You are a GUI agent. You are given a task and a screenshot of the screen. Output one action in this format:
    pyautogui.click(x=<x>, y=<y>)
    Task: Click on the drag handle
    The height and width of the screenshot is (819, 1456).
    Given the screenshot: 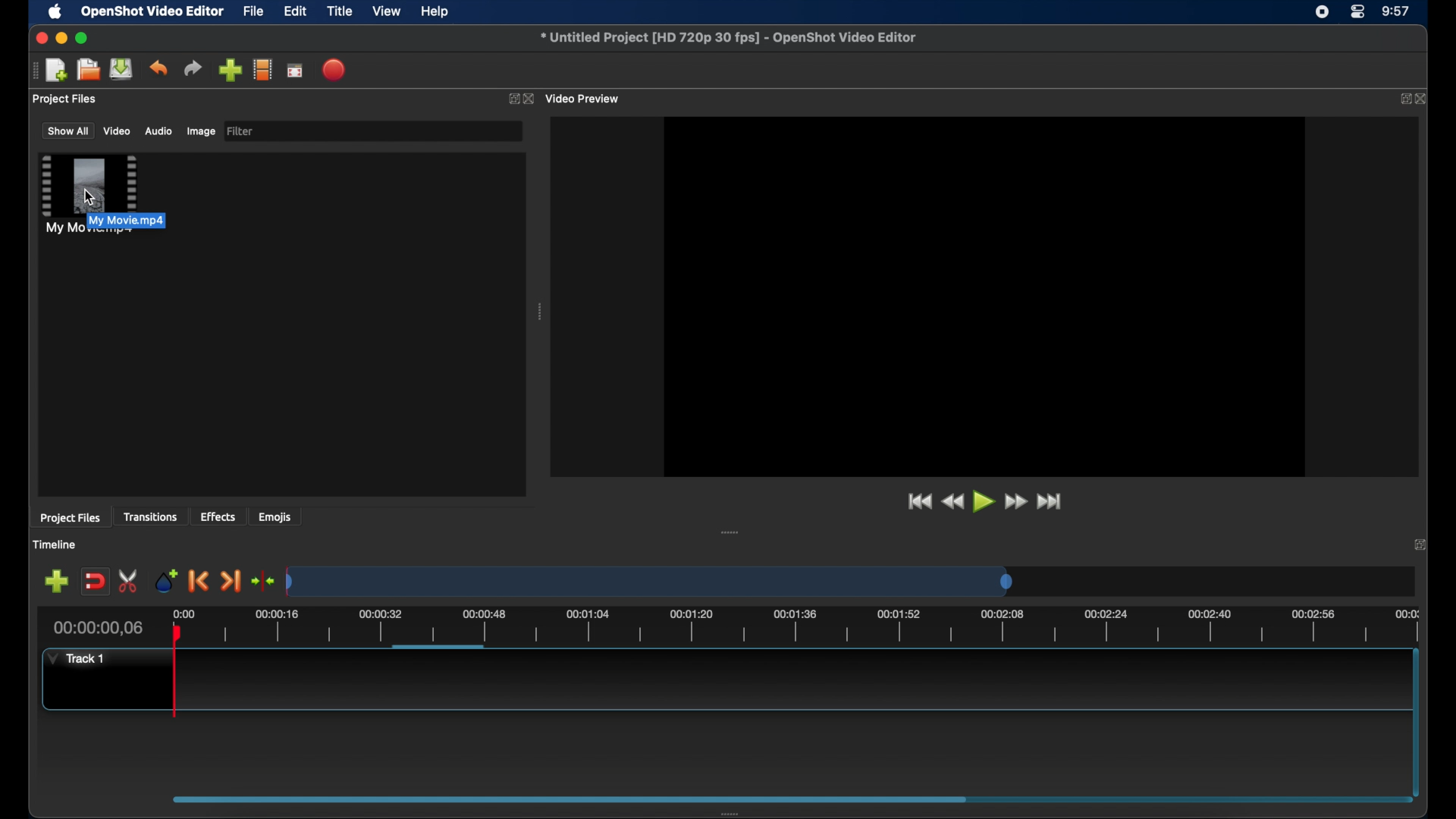 What is the action you would take?
    pyautogui.click(x=730, y=532)
    